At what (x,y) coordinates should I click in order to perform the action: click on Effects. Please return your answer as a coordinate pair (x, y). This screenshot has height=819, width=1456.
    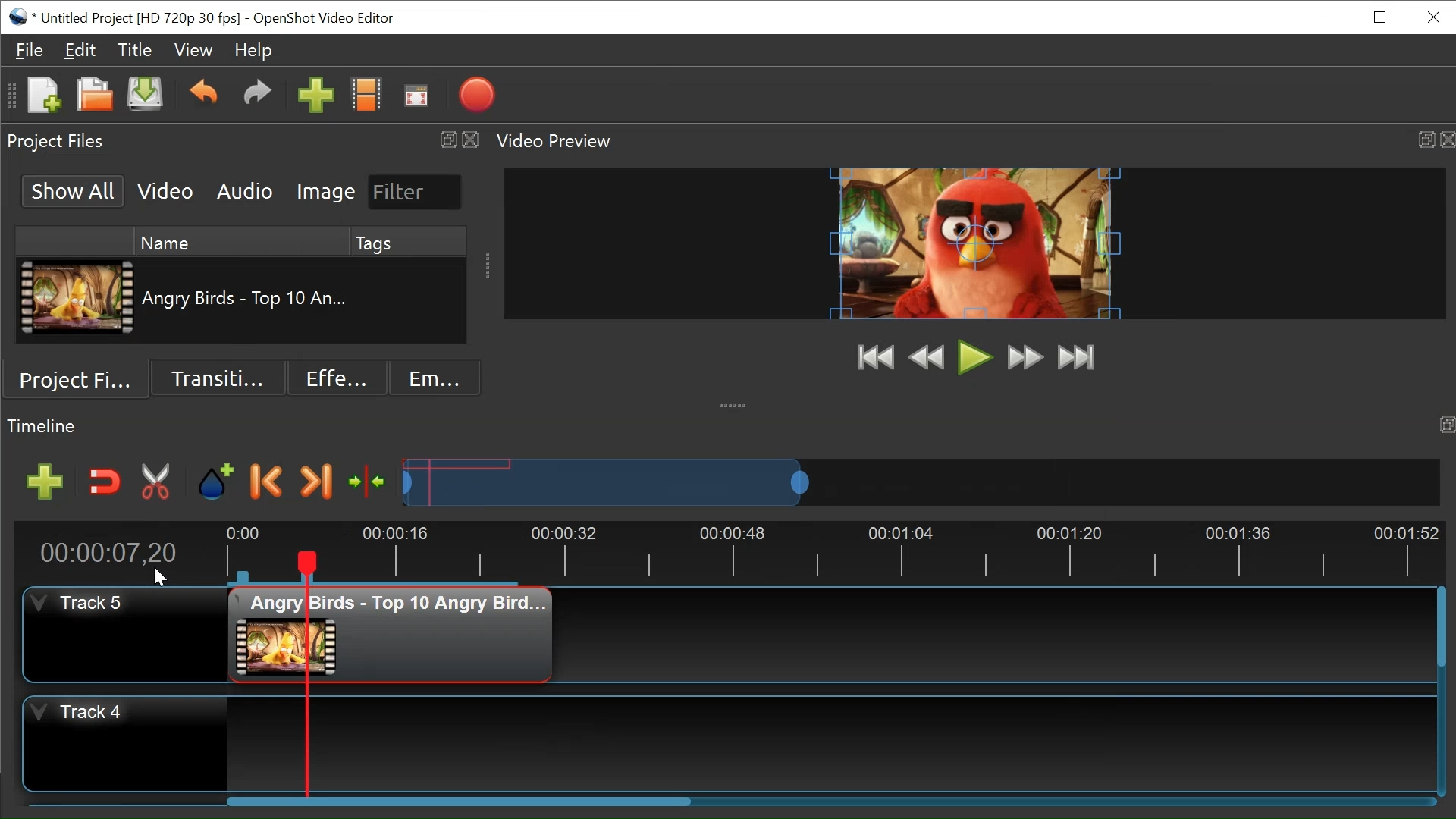
    Looking at the image, I should click on (336, 378).